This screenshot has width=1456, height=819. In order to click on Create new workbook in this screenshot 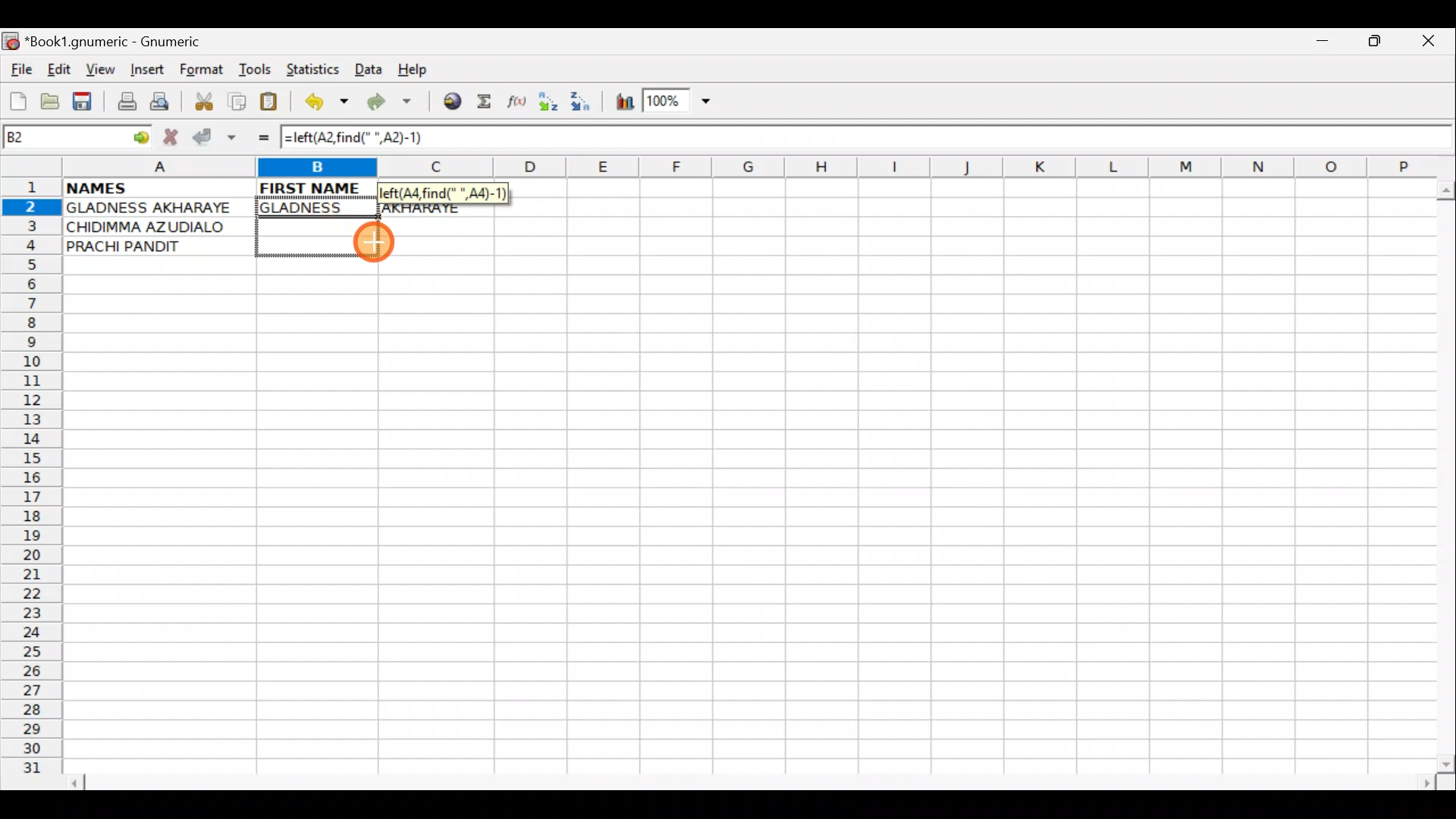, I will do `click(17, 99)`.